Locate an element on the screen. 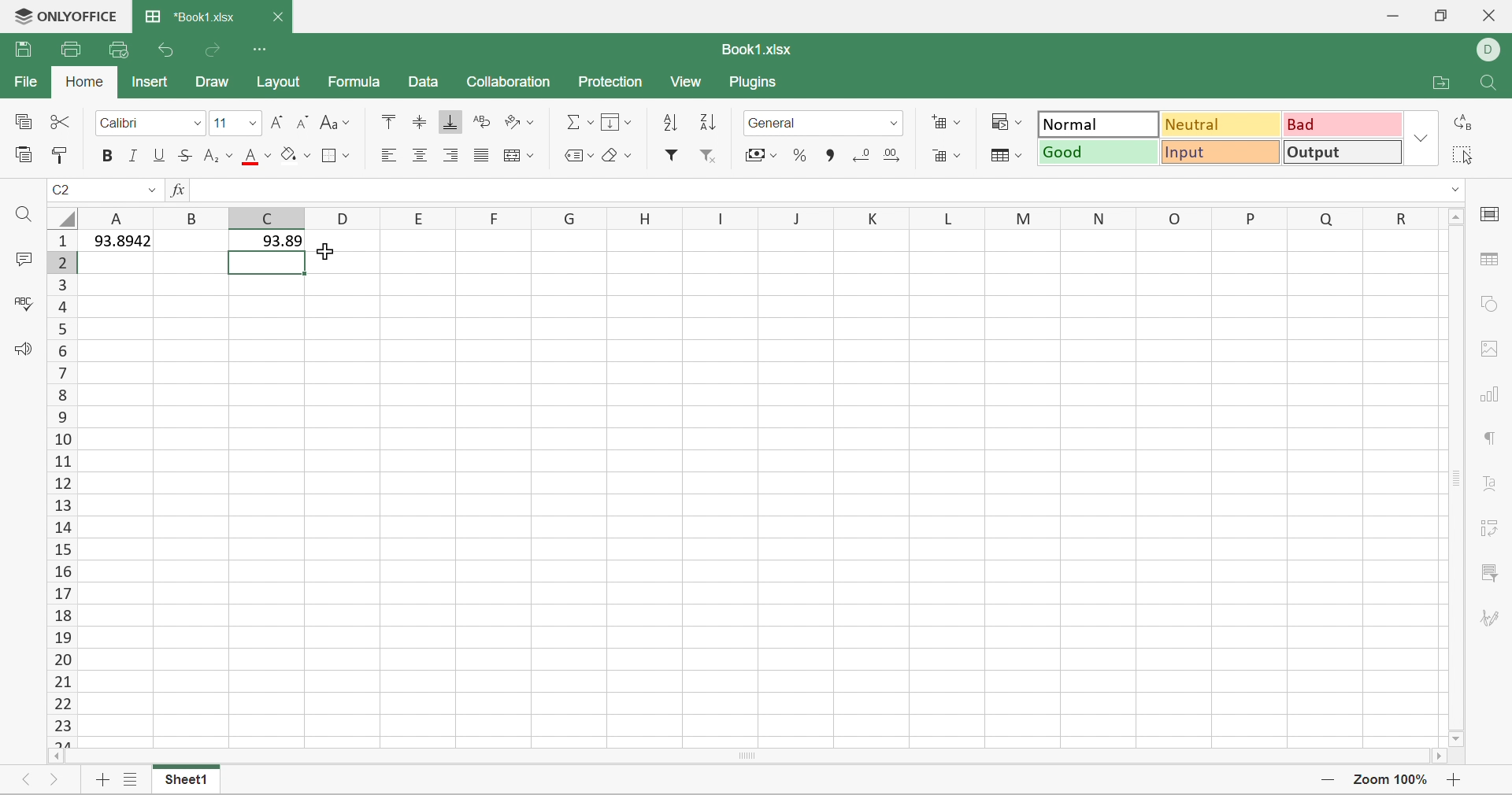  Conditional formatting is located at coordinates (1007, 121).